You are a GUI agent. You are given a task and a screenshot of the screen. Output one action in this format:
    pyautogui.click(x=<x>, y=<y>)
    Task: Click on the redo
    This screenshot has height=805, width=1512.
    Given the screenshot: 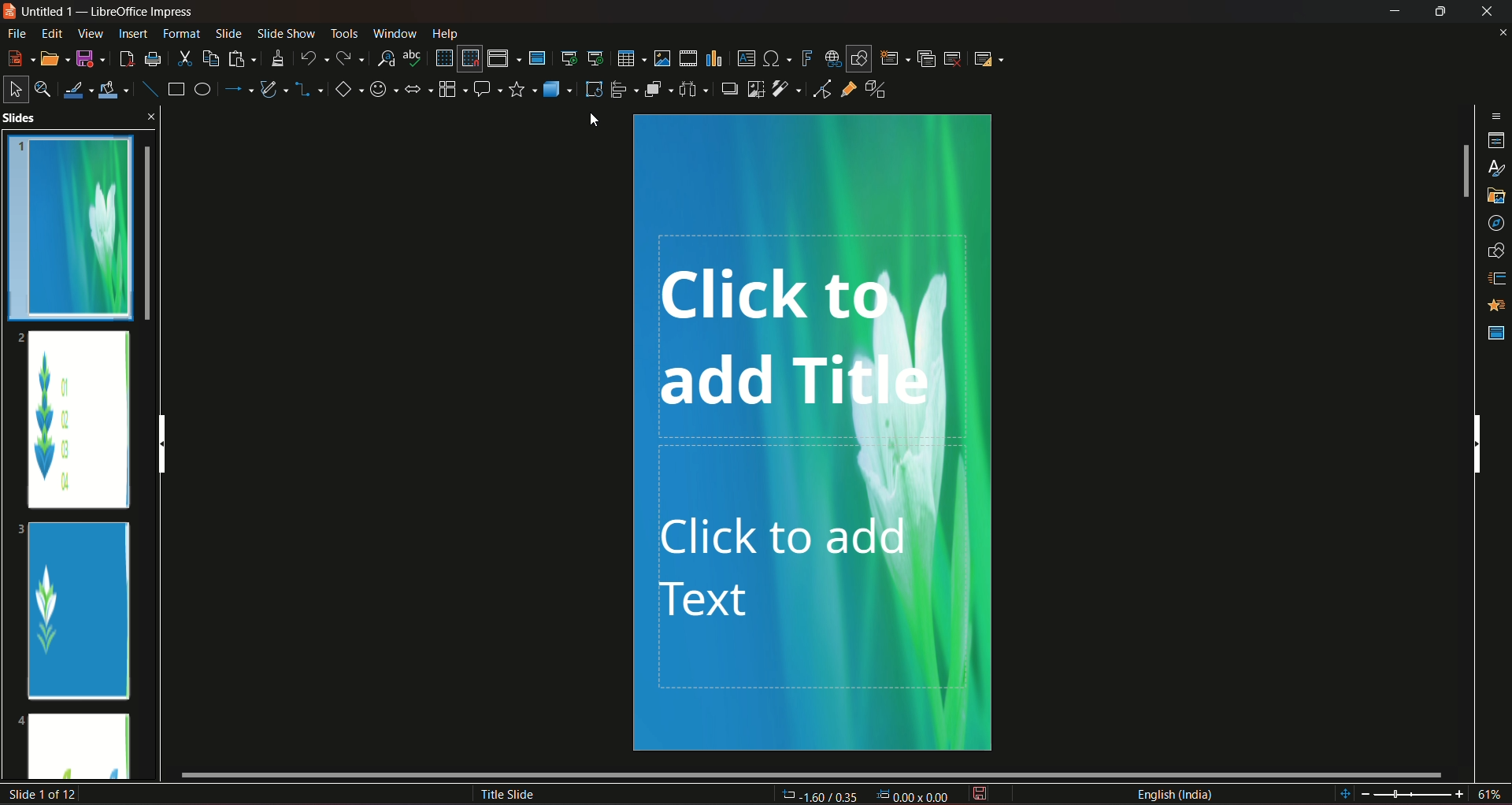 What is the action you would take?
    pyautogui.click(x=352, y=57)
    